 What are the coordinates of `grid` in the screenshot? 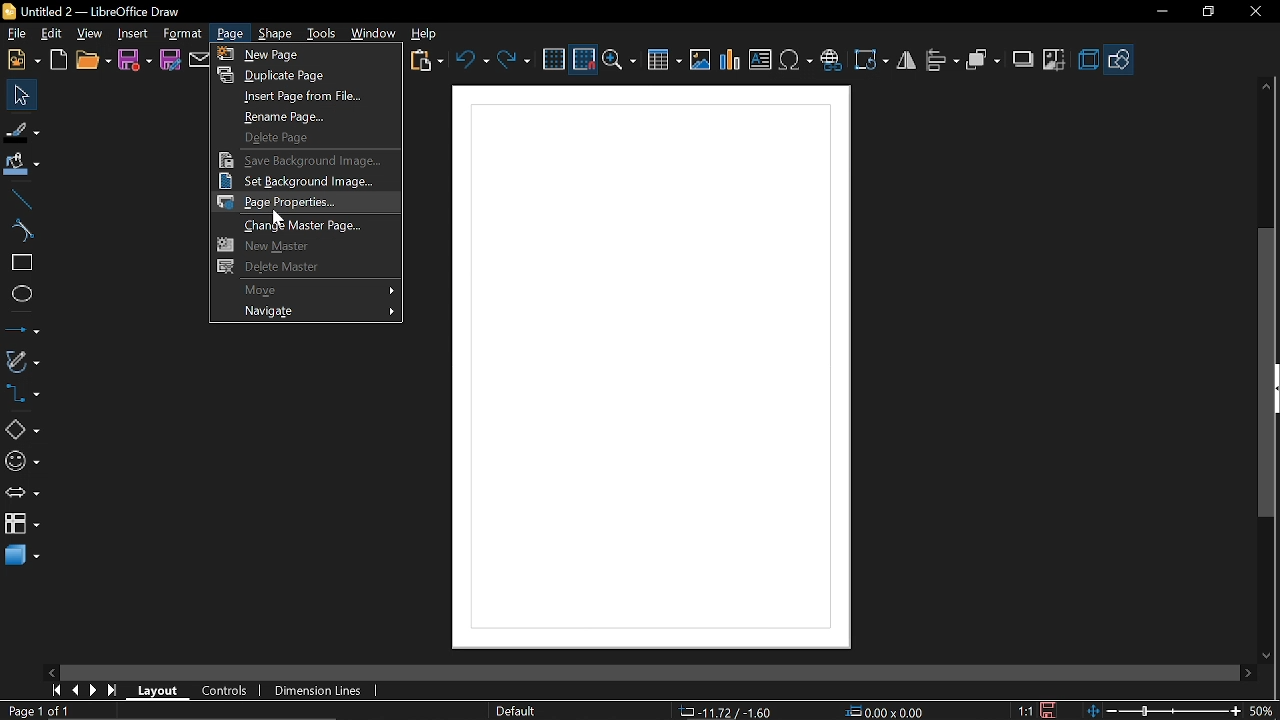 It's located at (554, 59).